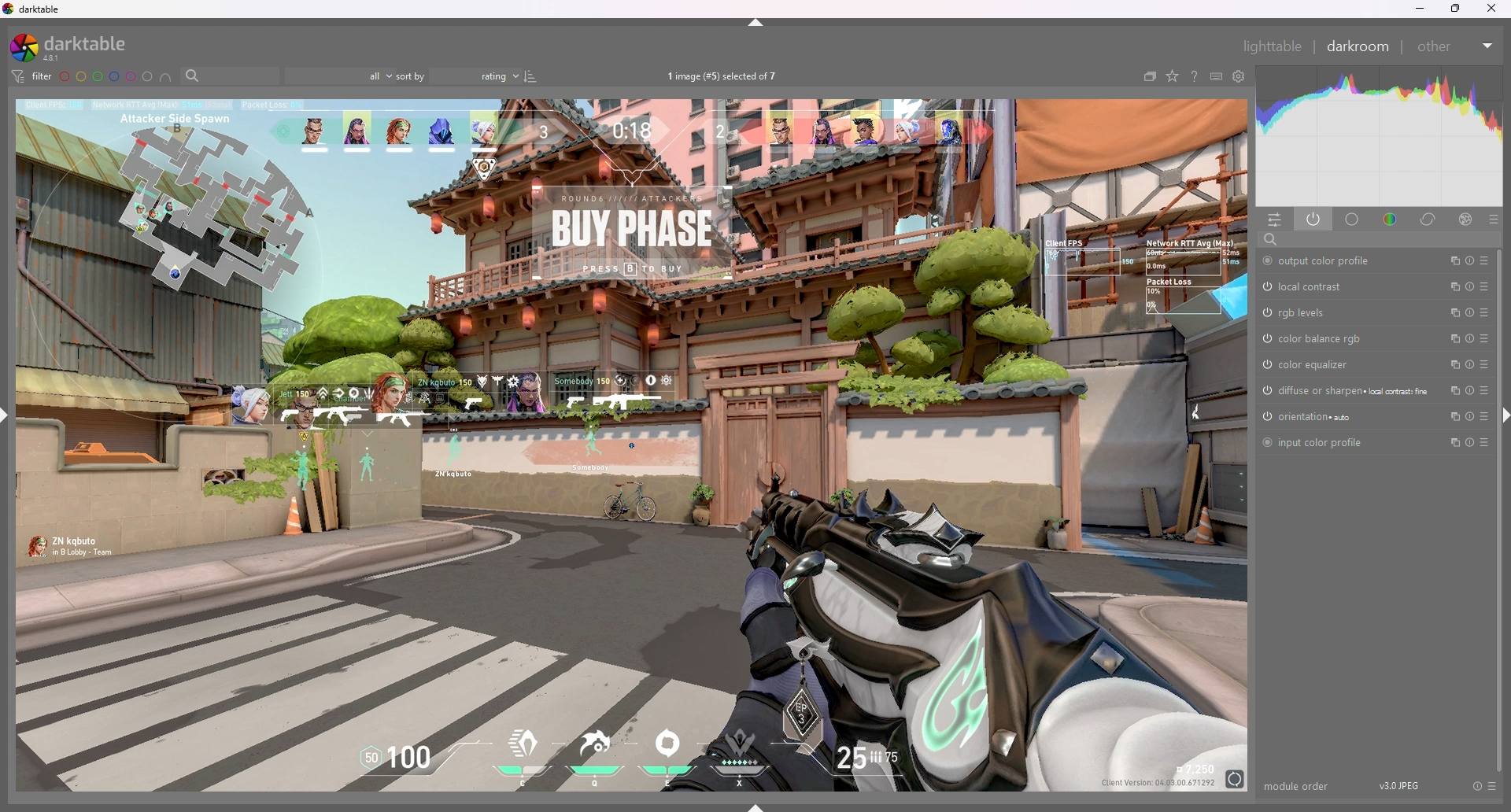 Image resolution: width=1511 pixels, height=812 pixels. I want to click on resize, so click(1456, 8).